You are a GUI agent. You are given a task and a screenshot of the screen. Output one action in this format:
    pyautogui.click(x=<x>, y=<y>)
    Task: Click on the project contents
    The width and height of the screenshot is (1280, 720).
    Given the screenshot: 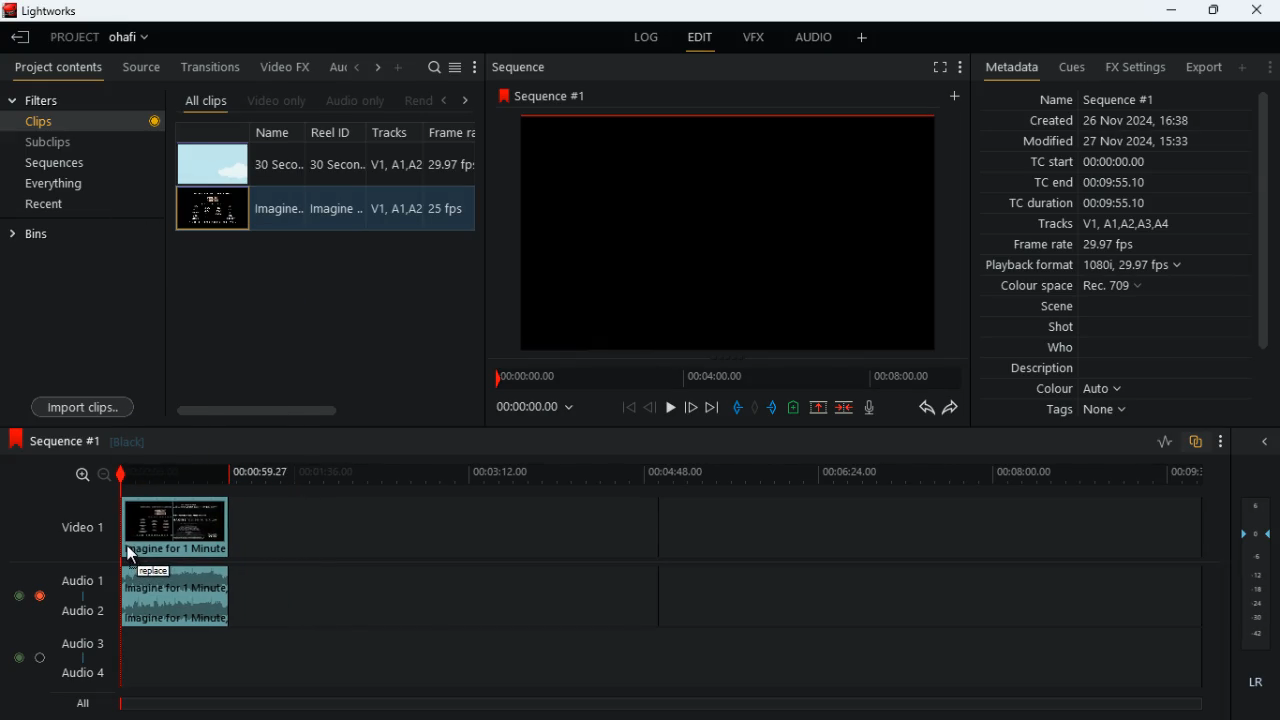 What is the action you would take?
    pyautogui.click(x=63, y=68)
    